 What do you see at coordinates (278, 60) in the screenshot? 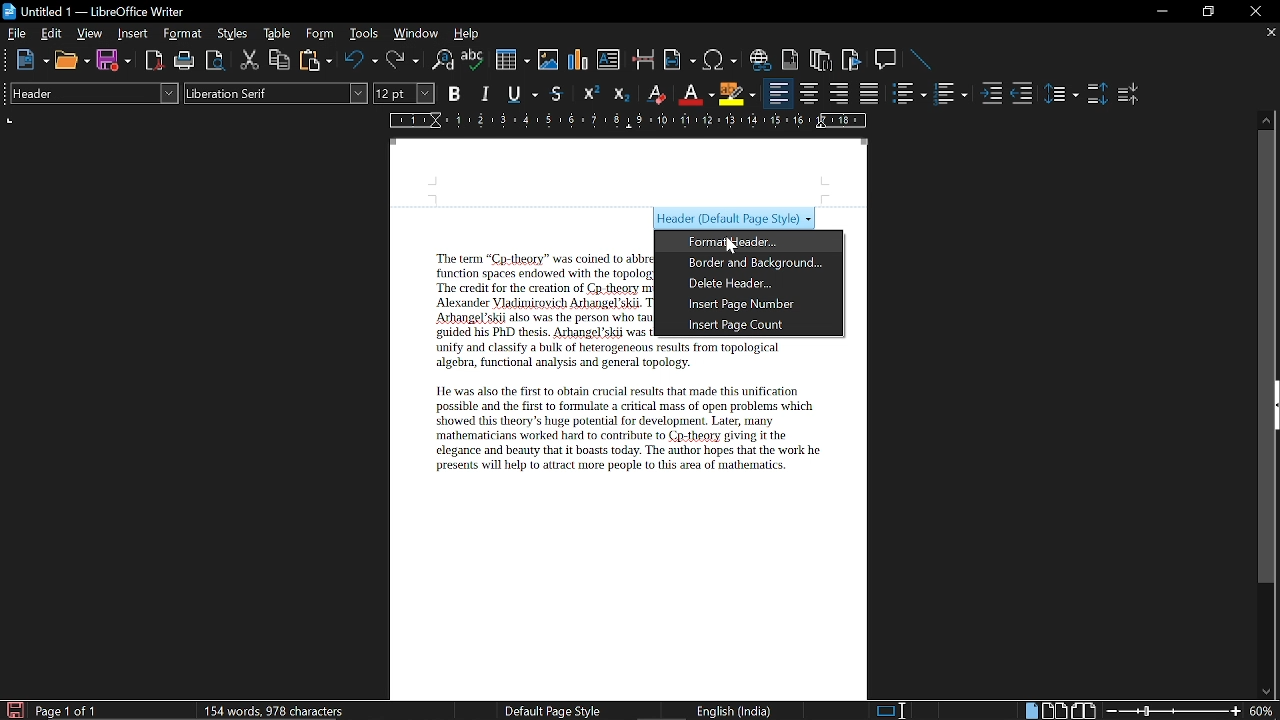
I see `Copy` at bounding box center [278, 60].